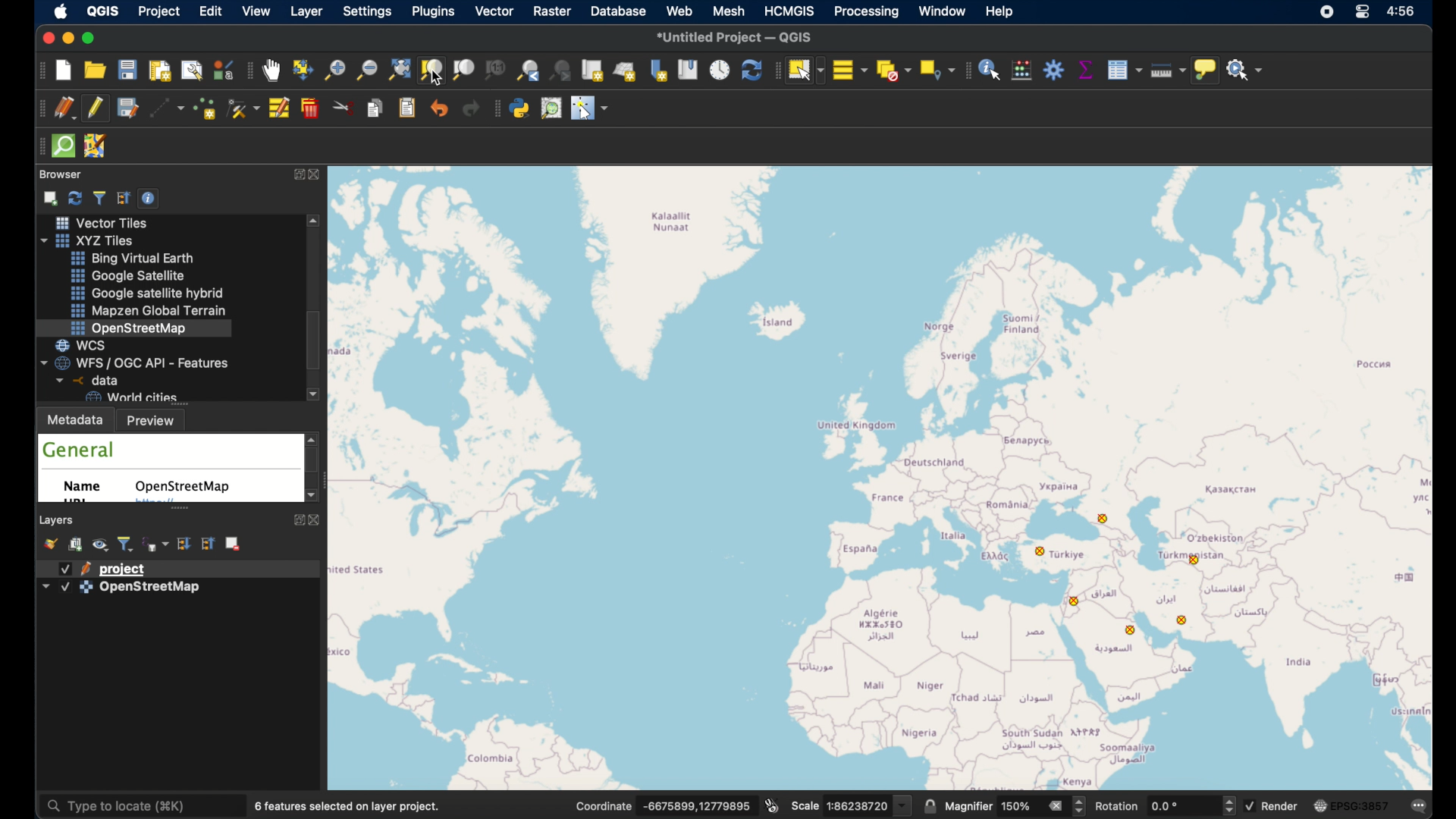 This screenshot has height=819, width=1456. I want to click on redo, so click(471, 109).